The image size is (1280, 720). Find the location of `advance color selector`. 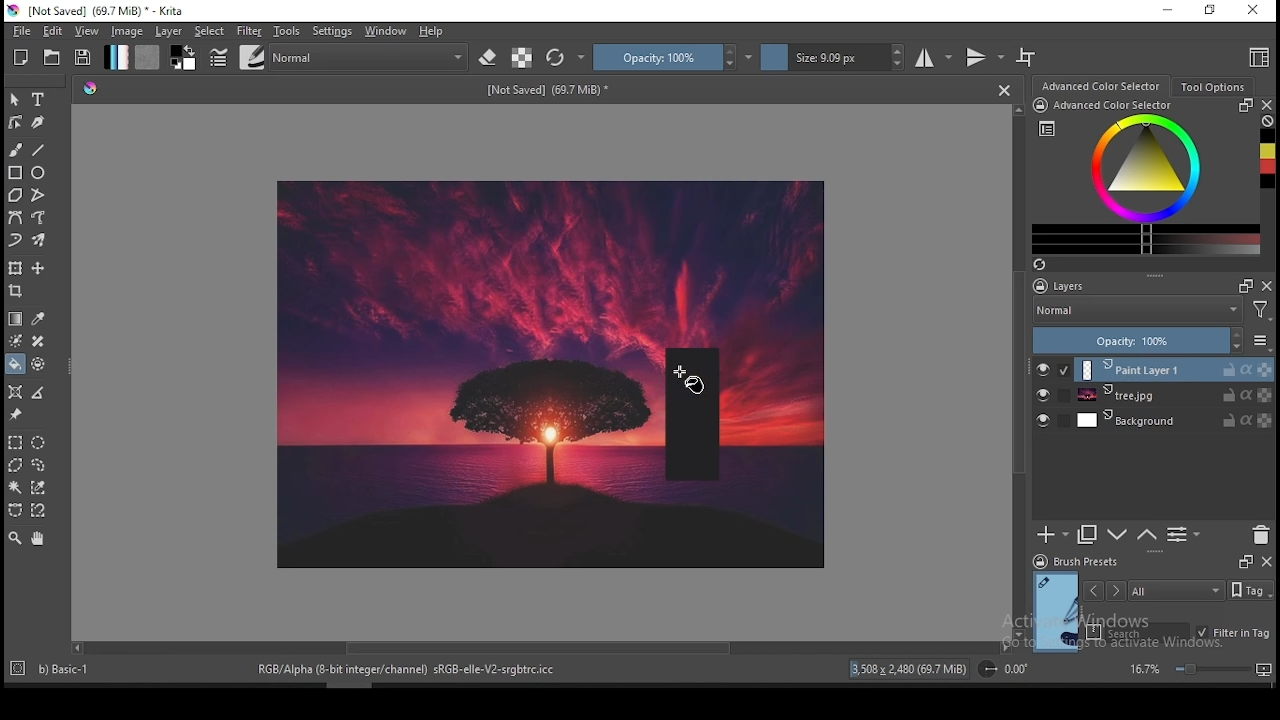

advance color selector is located at coordinates (1099, 86).